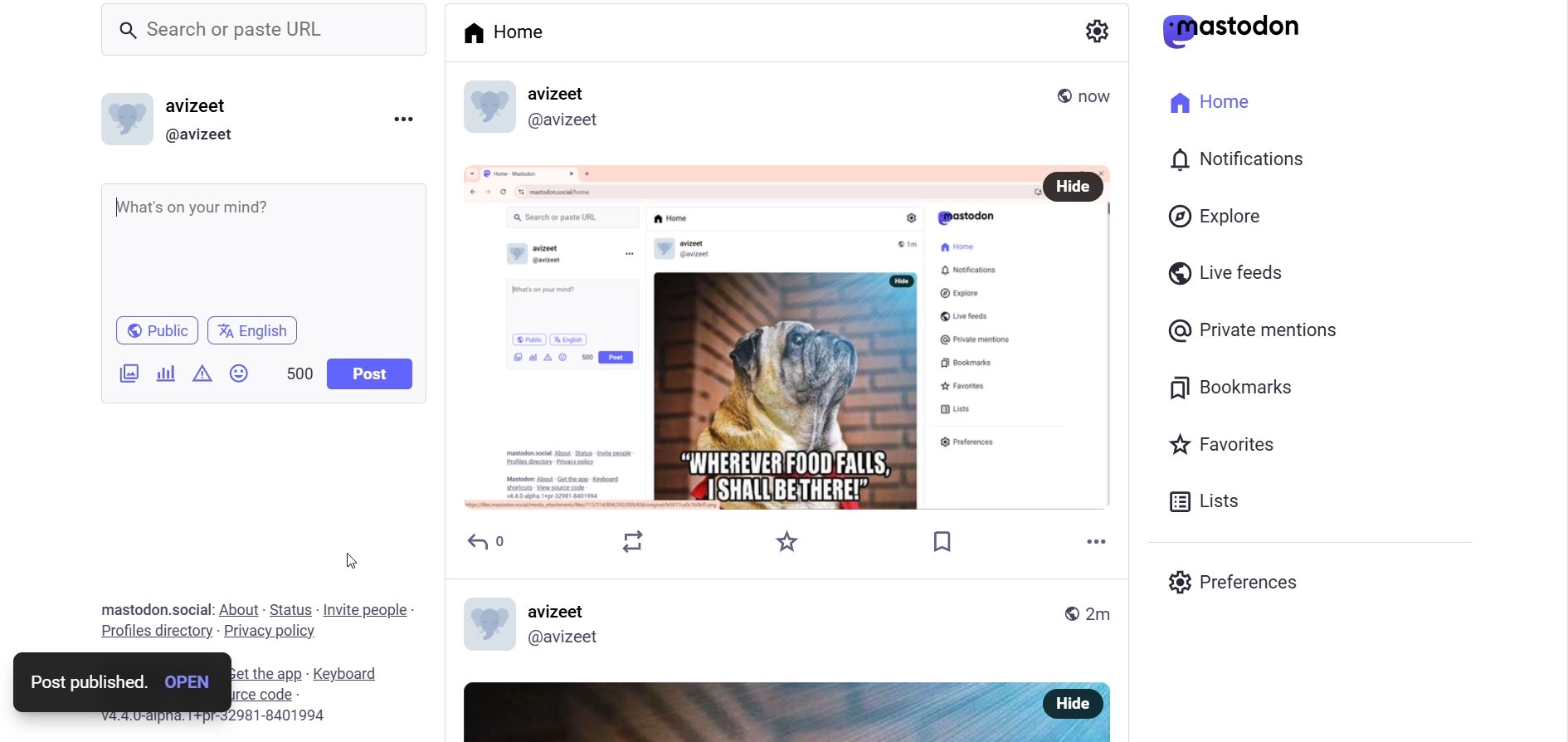 This screenshot has width=1568, height=742. Describe the element at coordinates (206, 135) in the screenshot. I see `@avizeet` at that location.